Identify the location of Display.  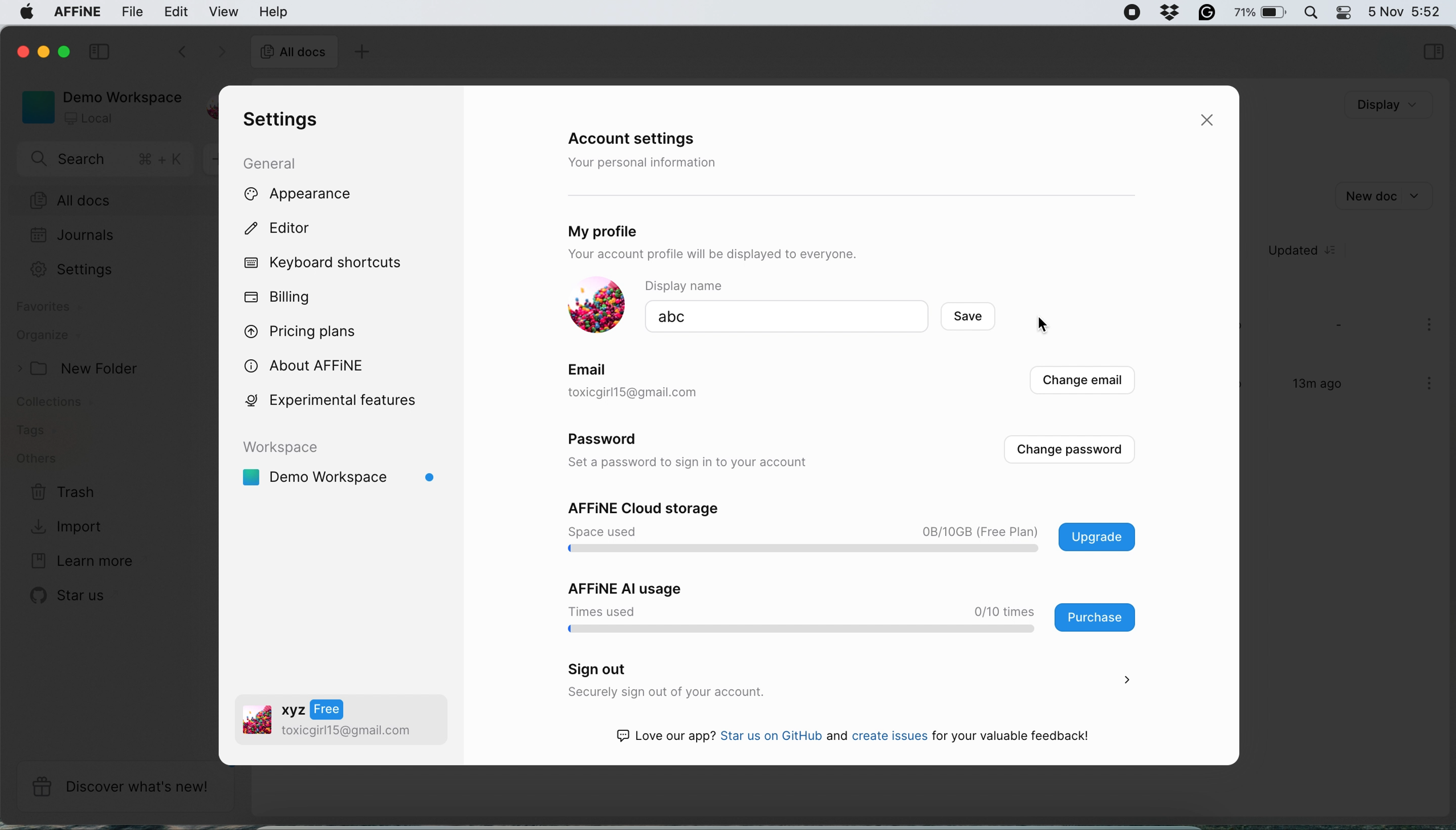
(1370, 105).